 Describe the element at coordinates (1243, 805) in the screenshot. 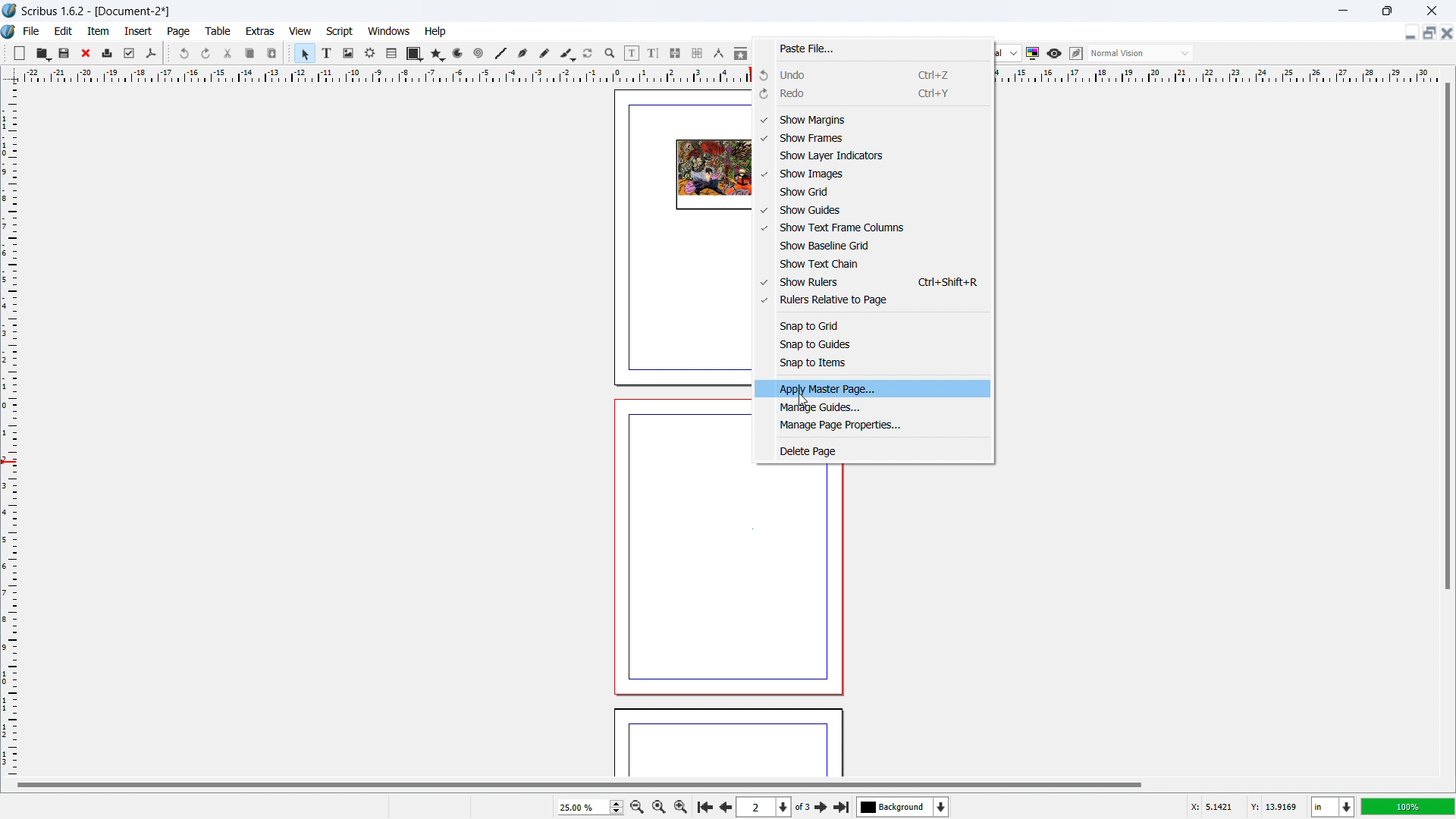

I see `cursor coordinate` at that location.